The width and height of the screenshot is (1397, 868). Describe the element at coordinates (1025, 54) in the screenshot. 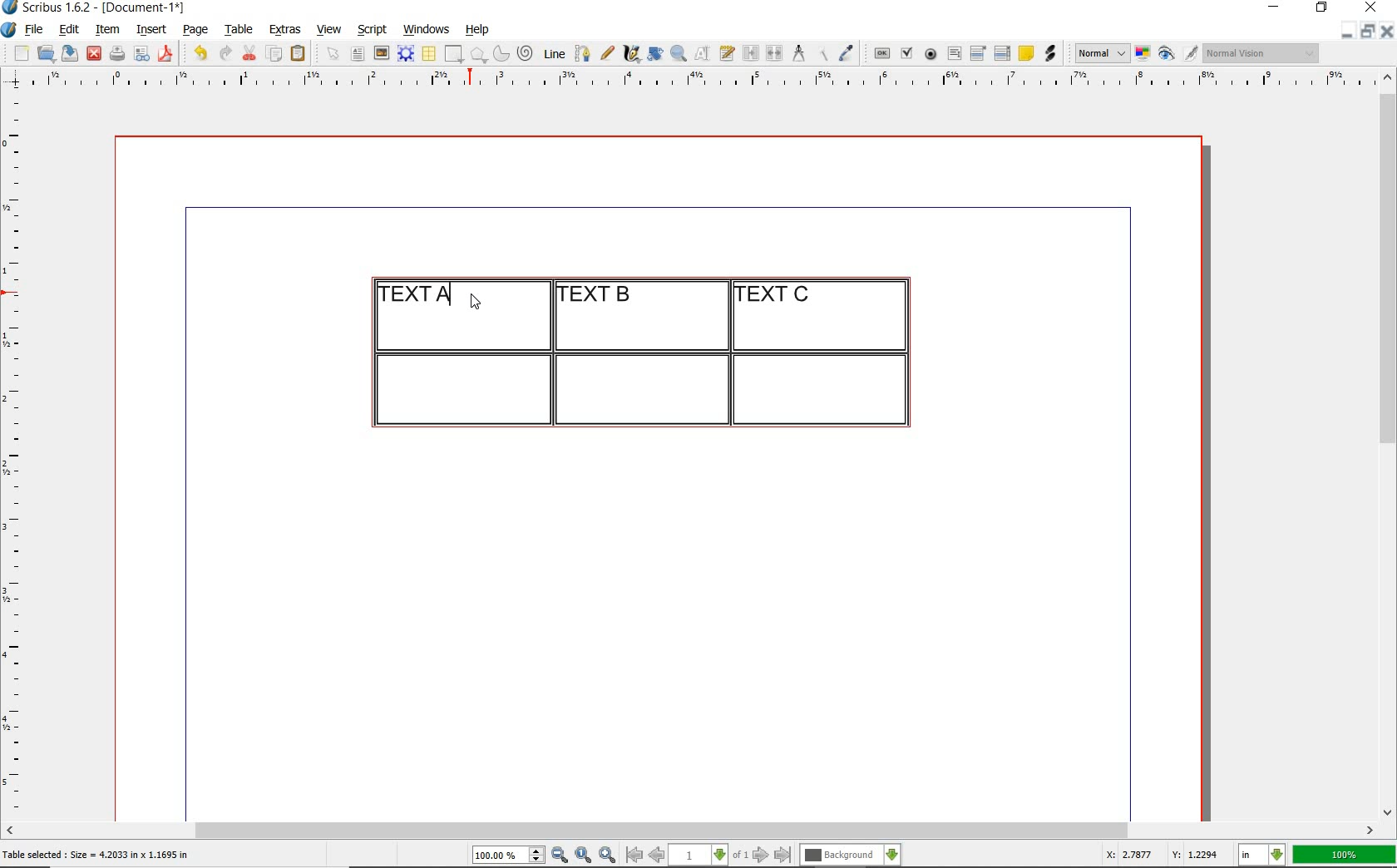

I see `text annotation` at that location.